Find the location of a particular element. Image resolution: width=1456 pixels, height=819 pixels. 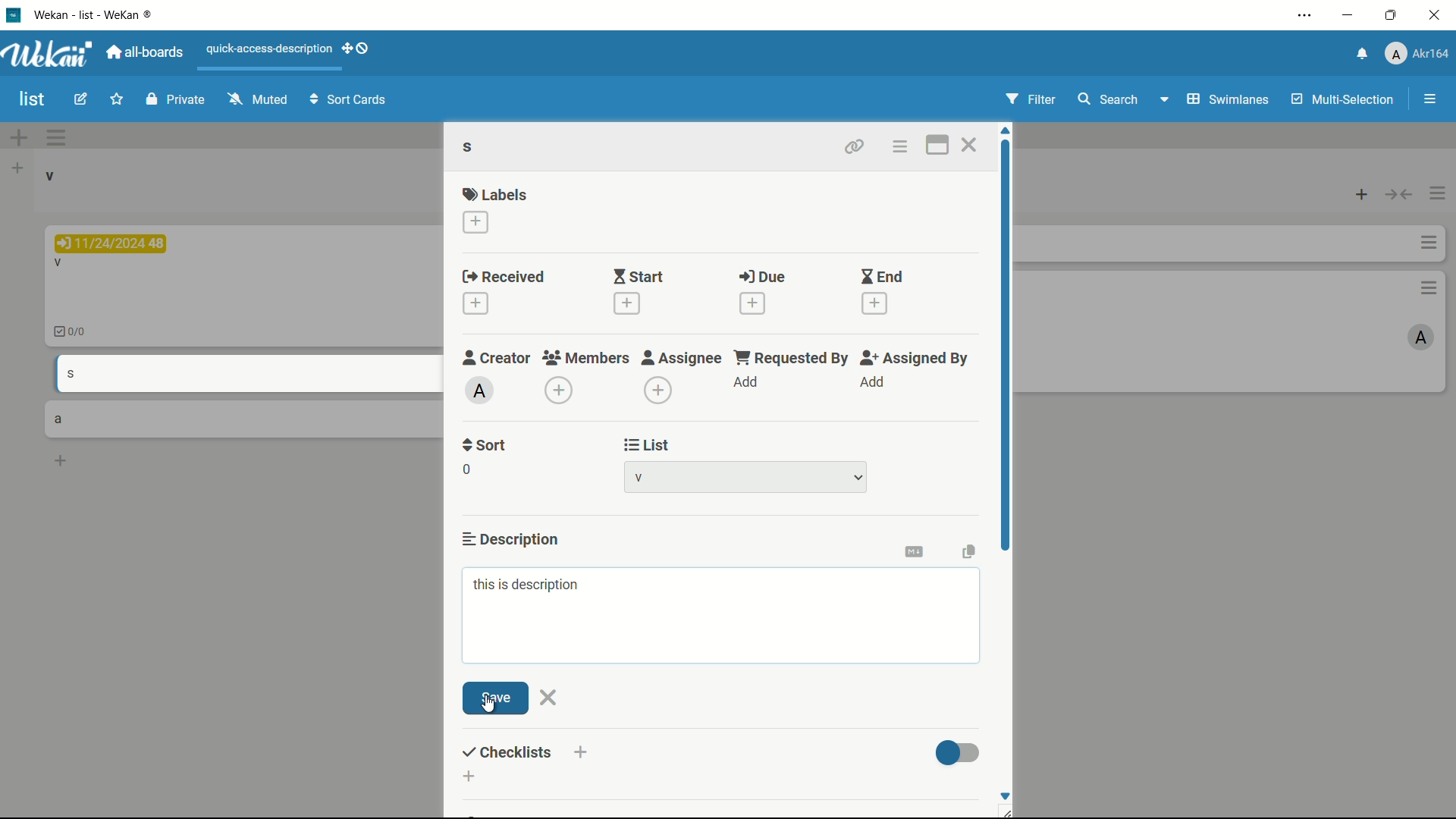

add label is located at coordinates (475, 222).